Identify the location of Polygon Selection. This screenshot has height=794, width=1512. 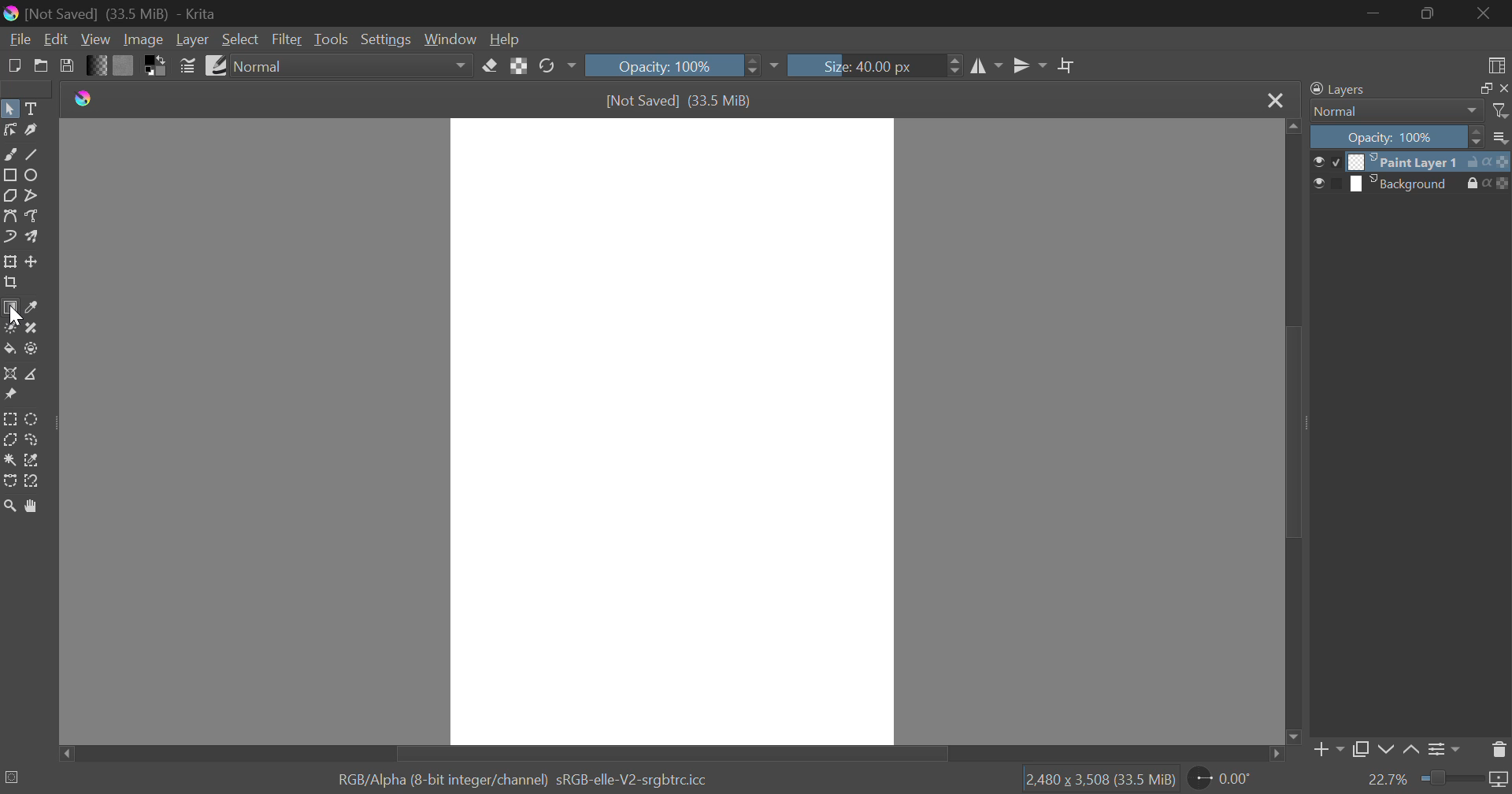
(9, 441).